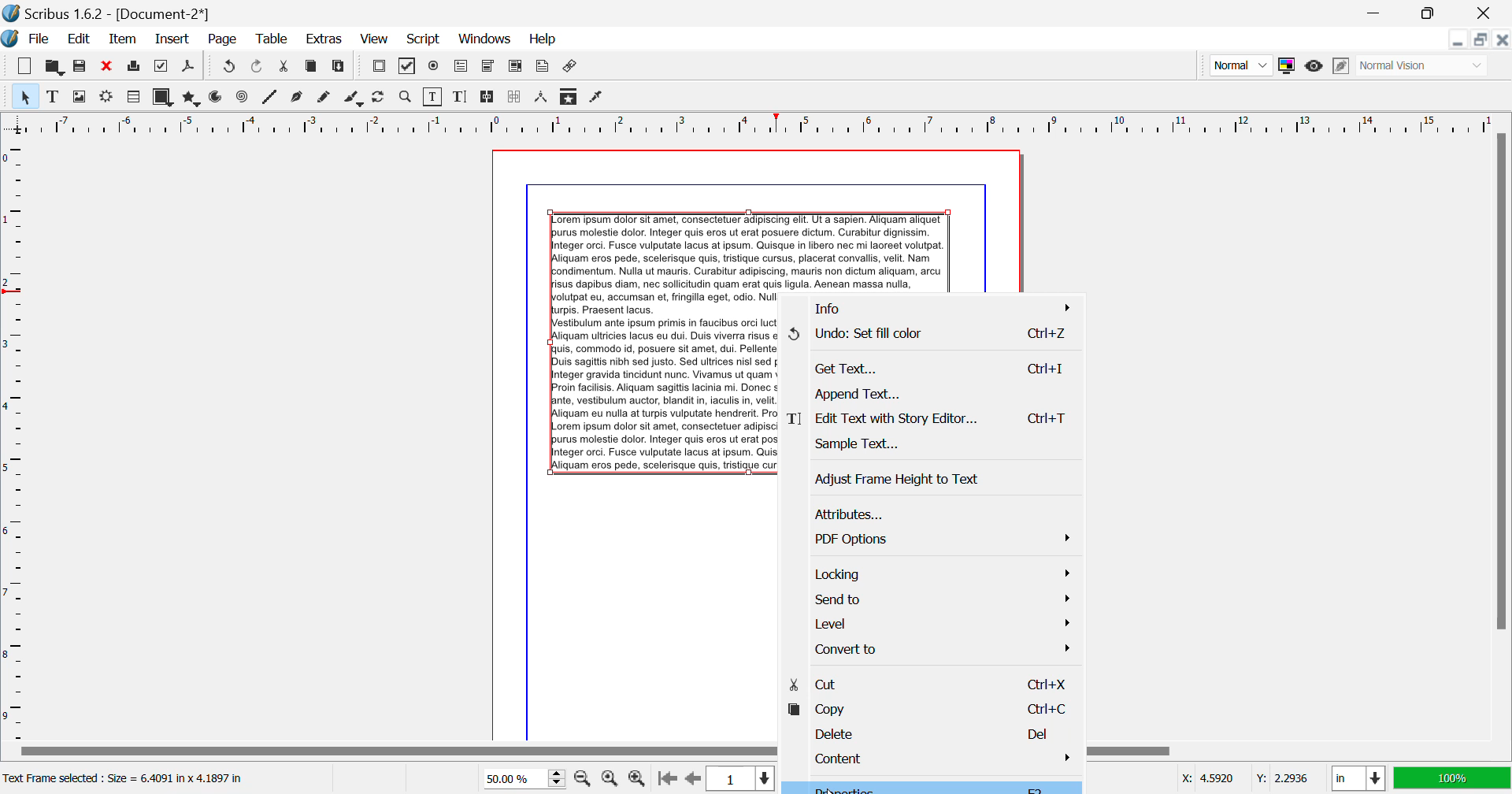 Image resolution: width=1512 pixels, height=794 pixels. What do you see at coordinates (461, 67) in the screenshot?
I see `Pdf Text Fields` at bounding box center [461, 67].